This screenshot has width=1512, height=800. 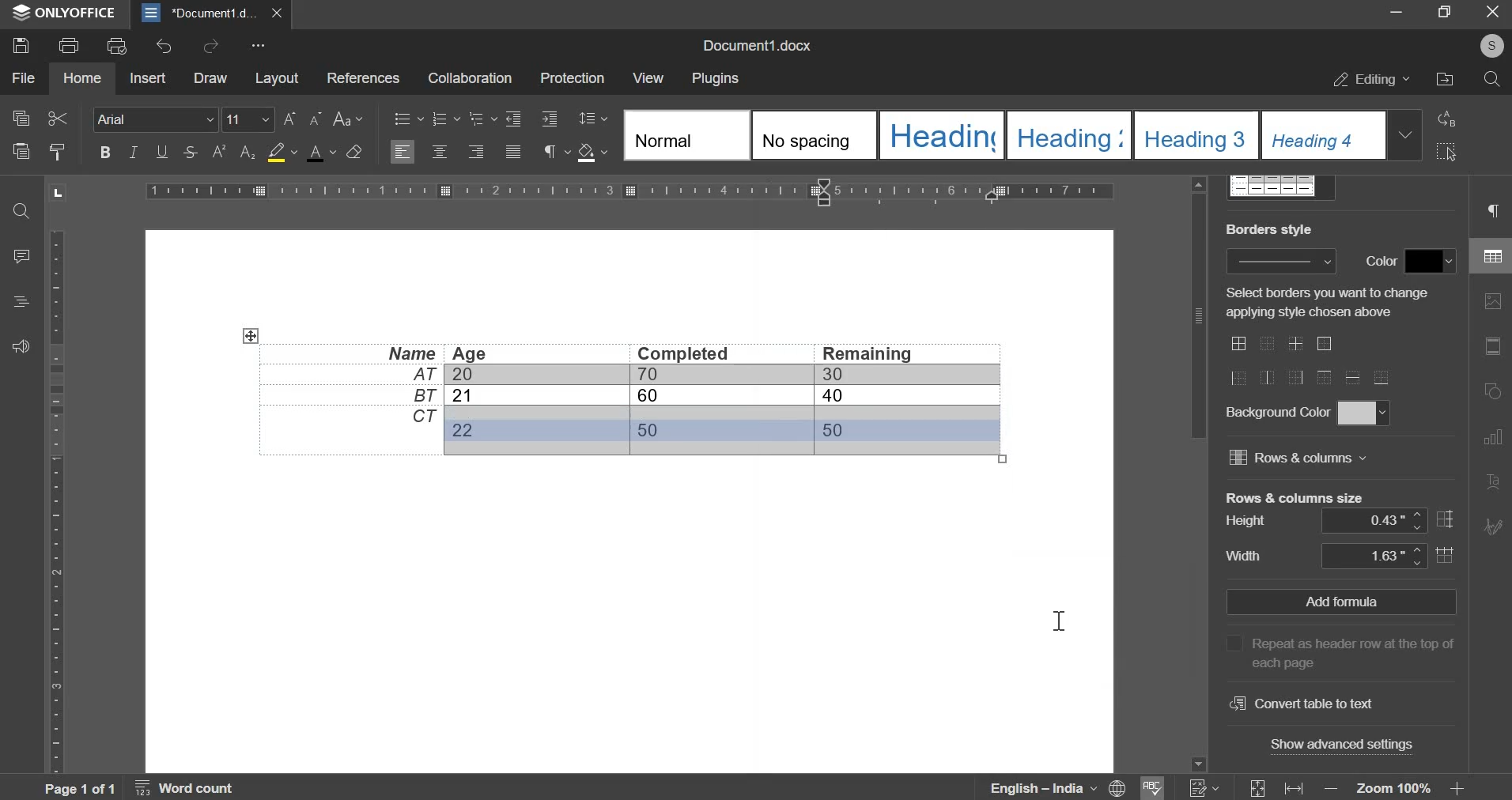 I want to click on left align, so click(x=402, y=153).